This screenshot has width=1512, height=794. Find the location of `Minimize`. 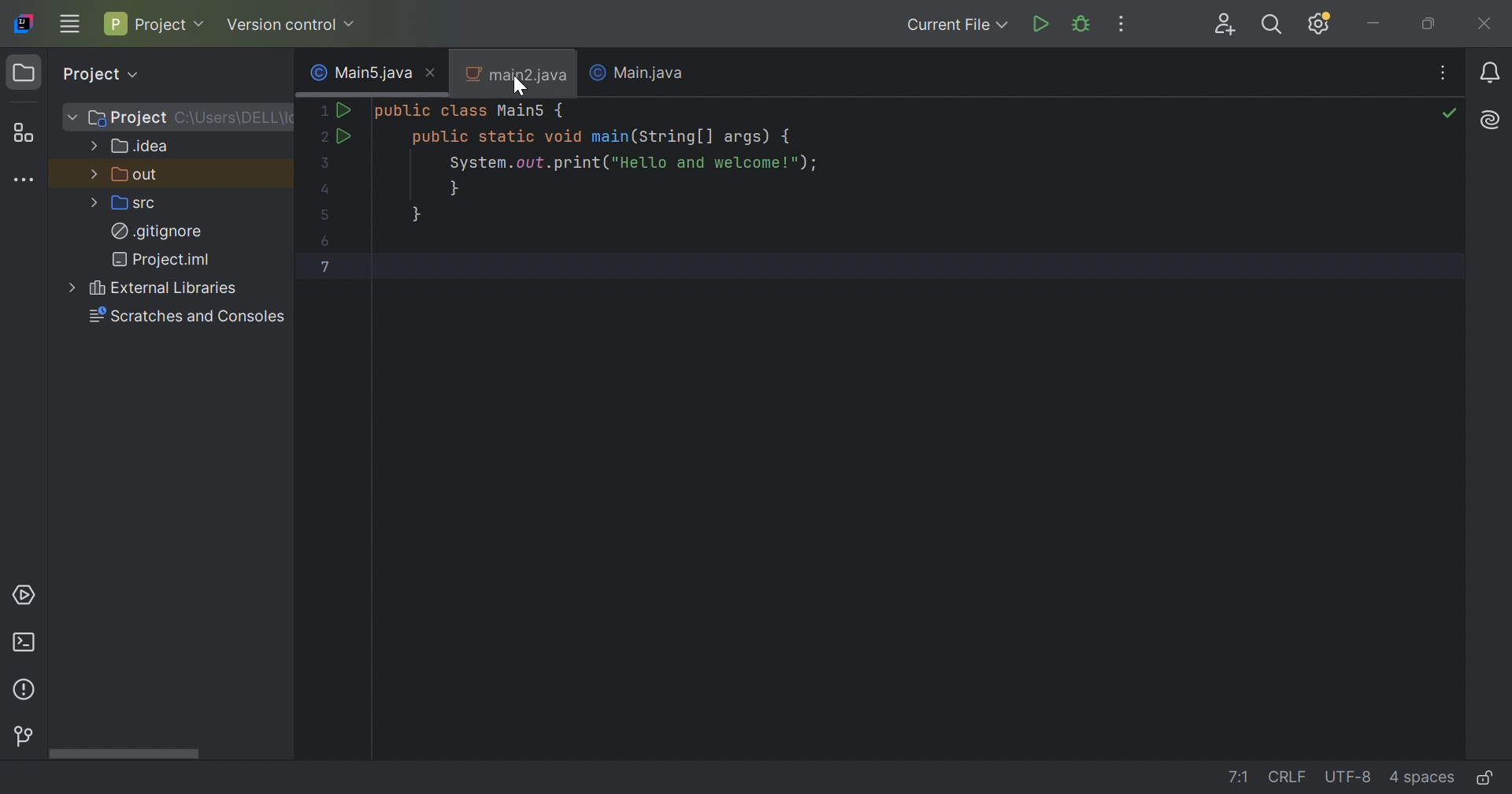

Minimize is located at coordinates (1374, 24).